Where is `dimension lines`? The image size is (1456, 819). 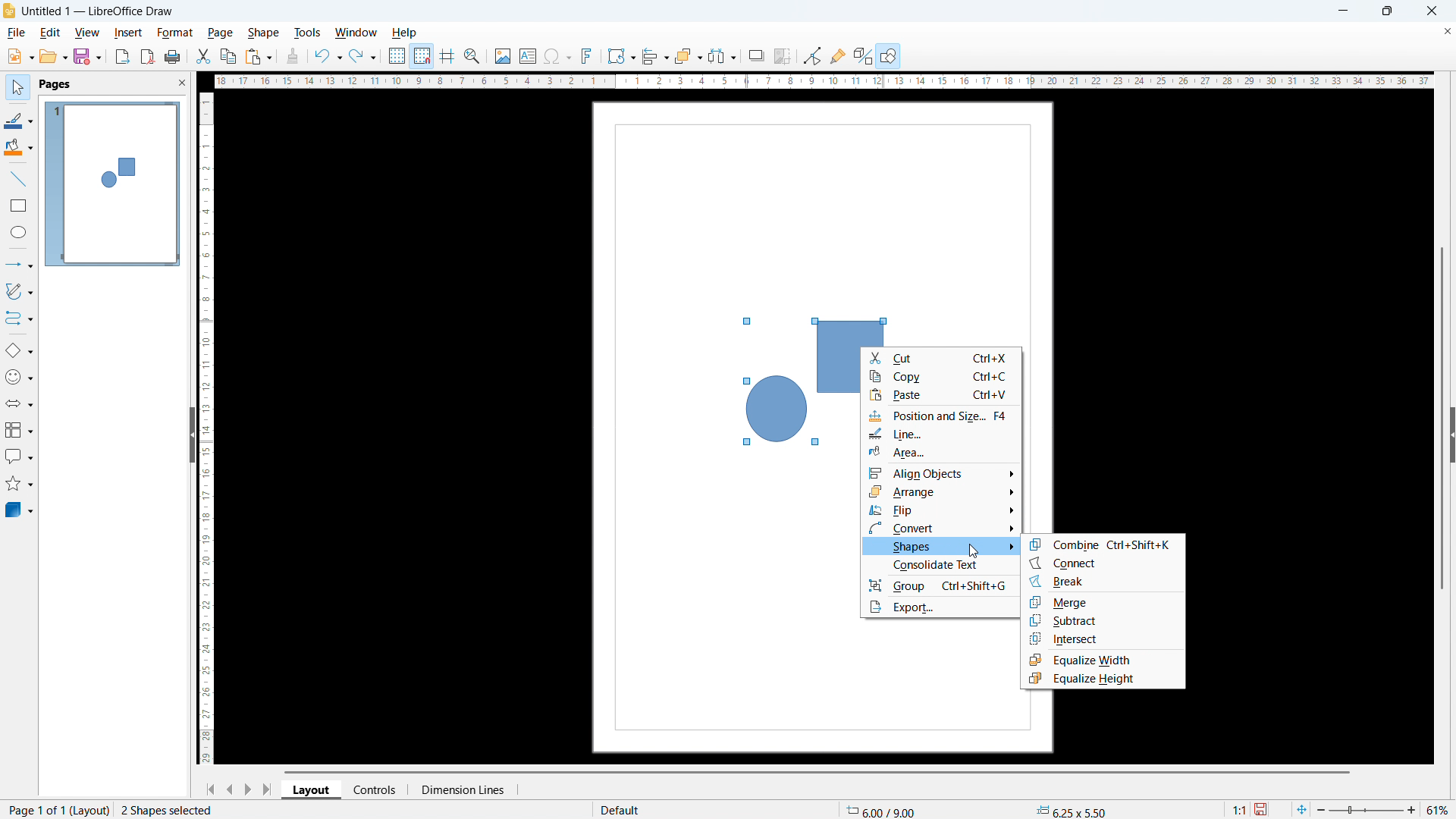
dimension lines is located at coordinates (461, 790).